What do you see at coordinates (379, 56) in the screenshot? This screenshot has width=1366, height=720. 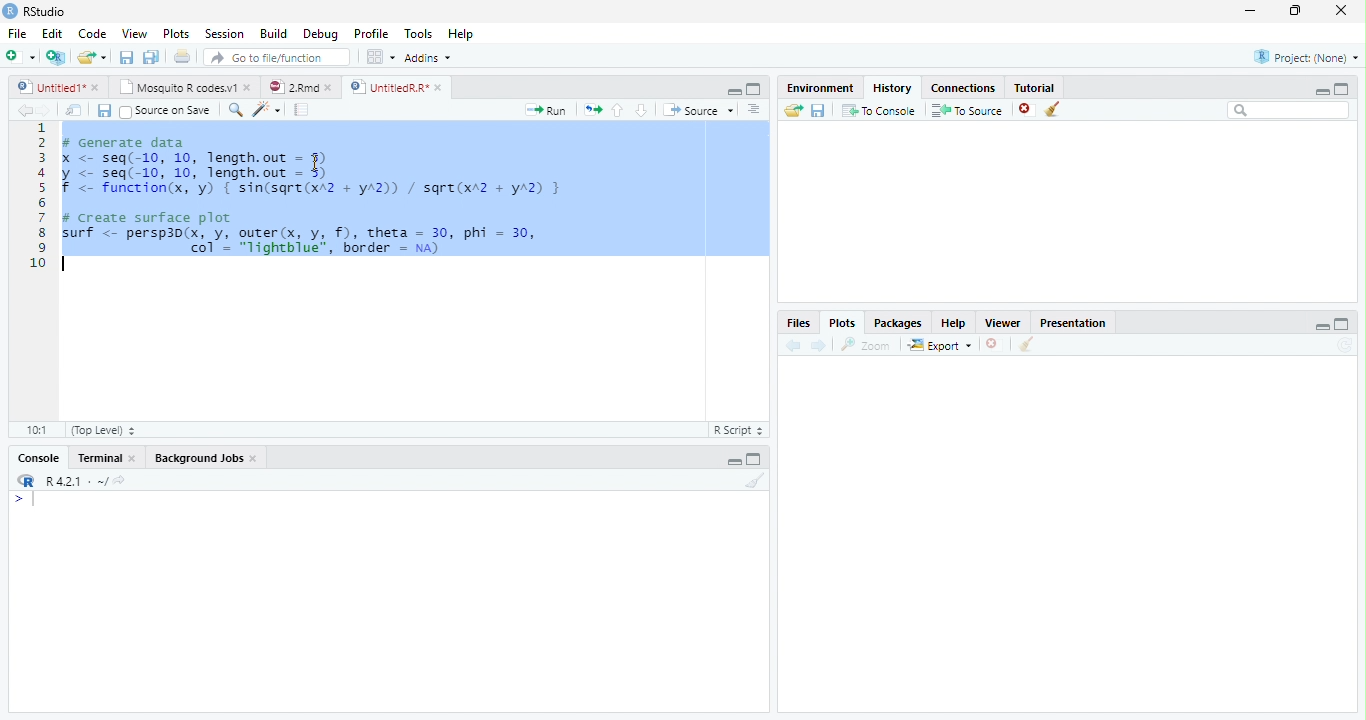 I see `Workspace panes` at bounding box center [379, 56].